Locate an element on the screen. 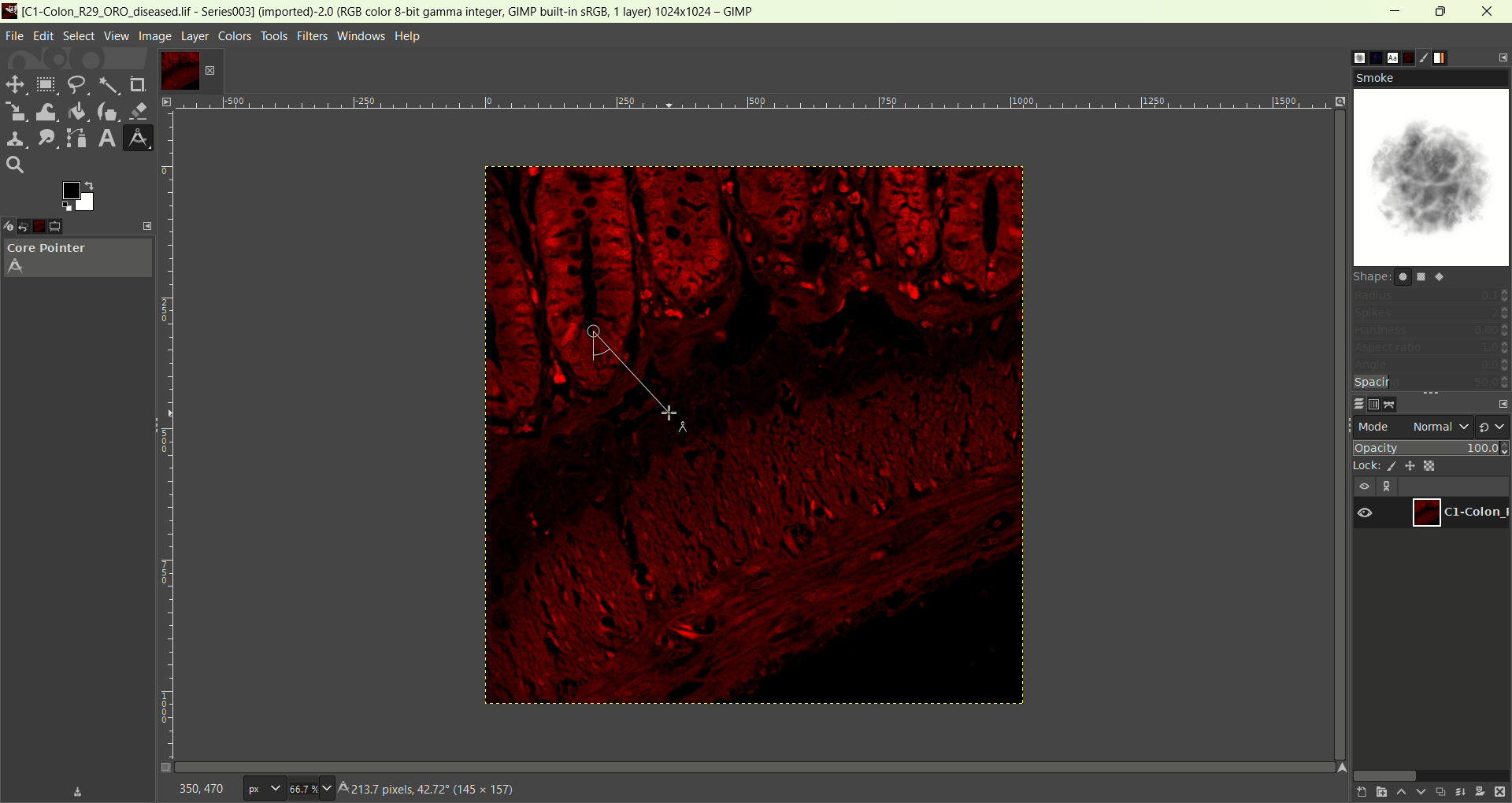 Image resolution: width=1512 pixels, height=803 pixels. create a new layer and add it to image is located at coordinates (1377, 793).